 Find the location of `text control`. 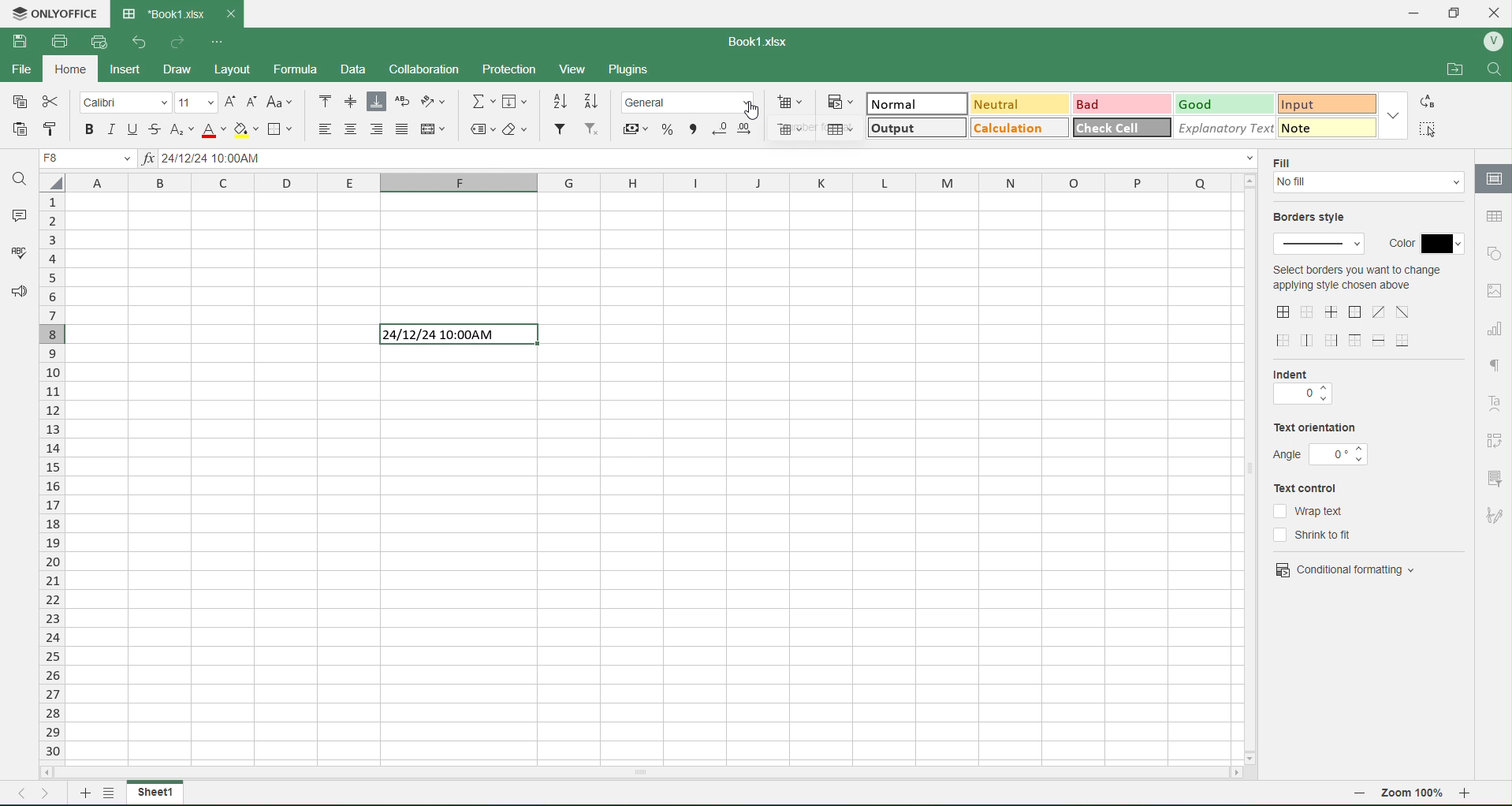

text control is located at coordinates (1315, 488).